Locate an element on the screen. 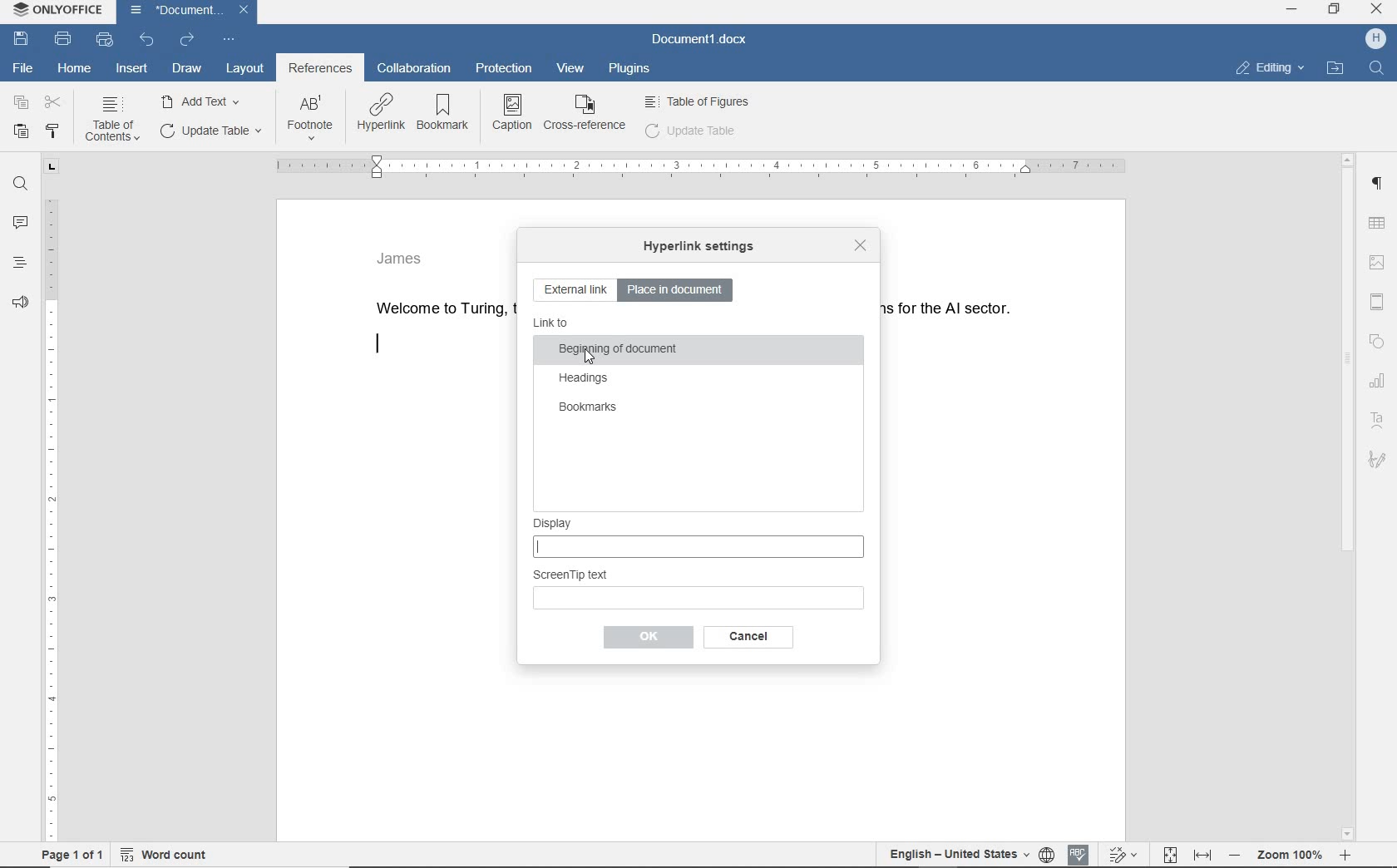 This screenshot has height=868, width=1397. draw is located at coordinates (188, 69).